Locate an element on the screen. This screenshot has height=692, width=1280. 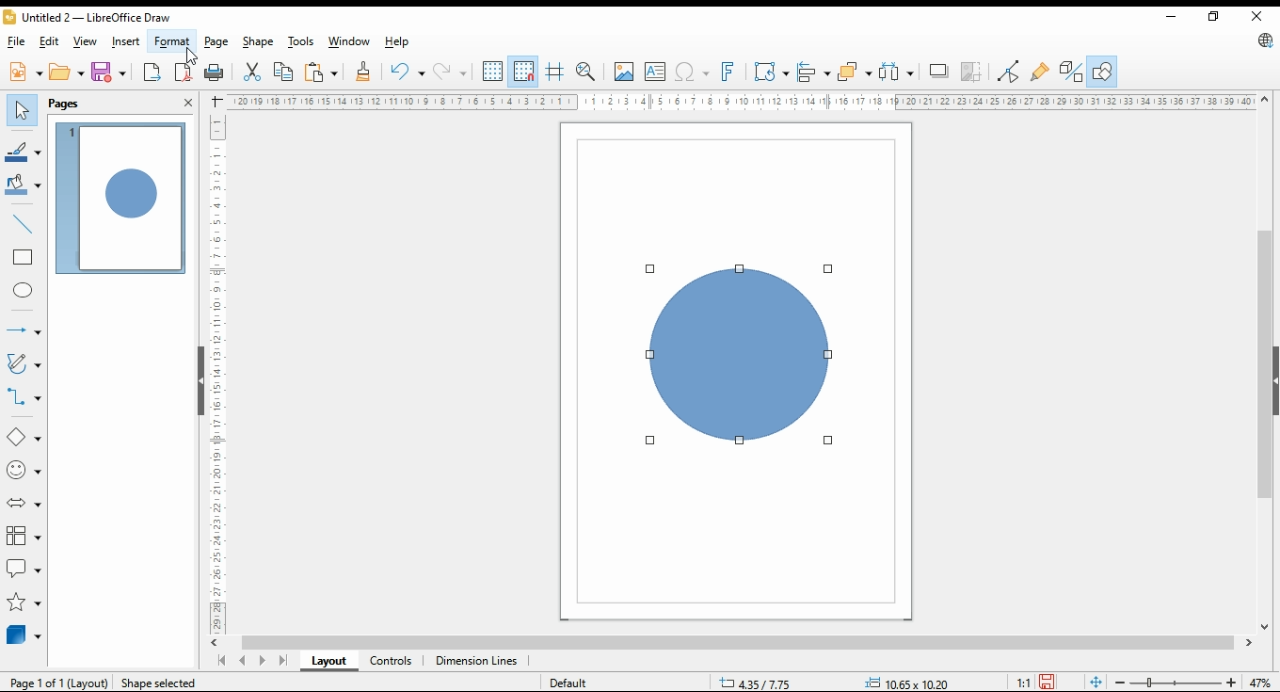
mouse pointer is located at coordinates (191, 50).